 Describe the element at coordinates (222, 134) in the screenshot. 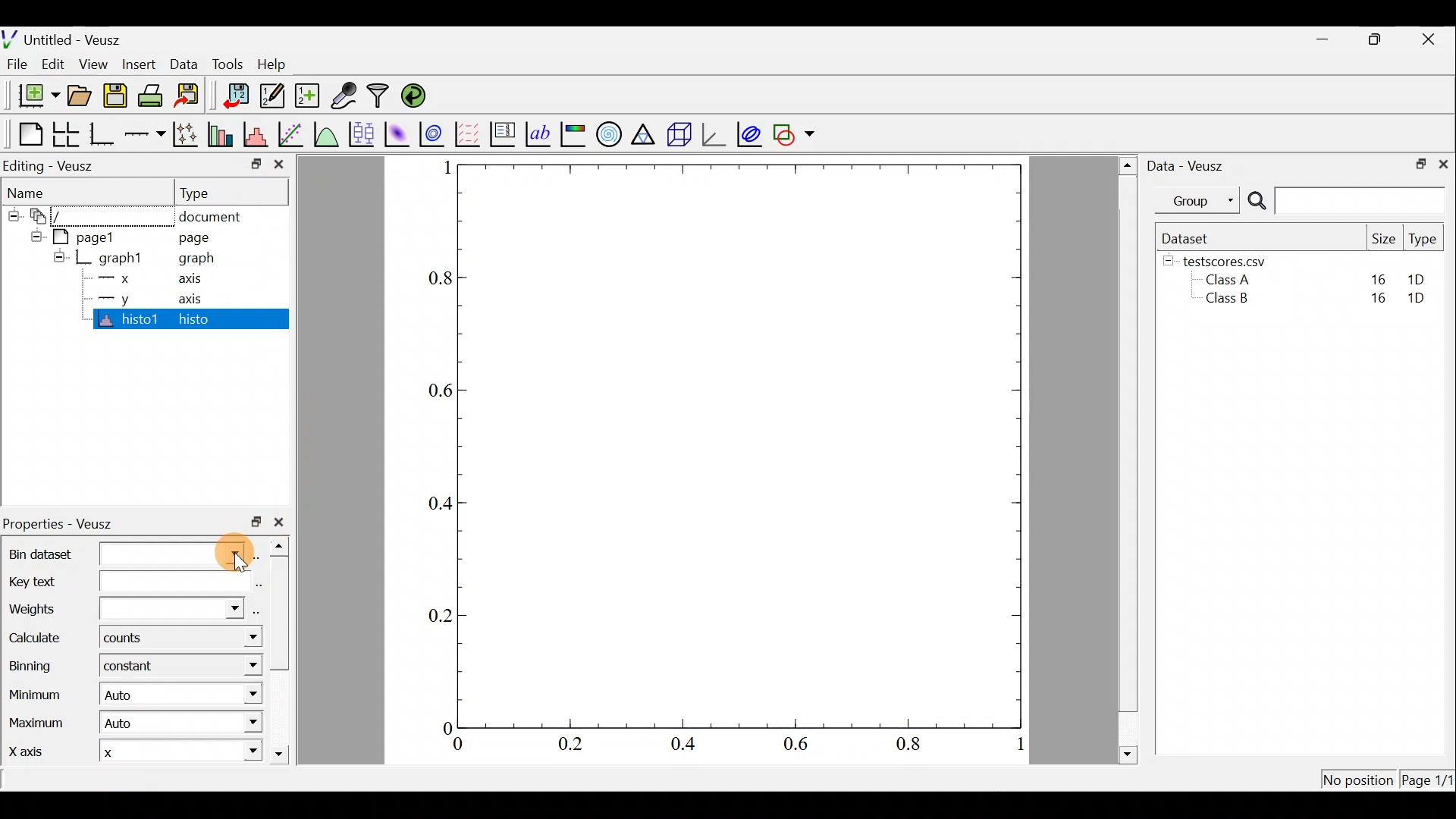

I see `Plot bar charts` at that location.